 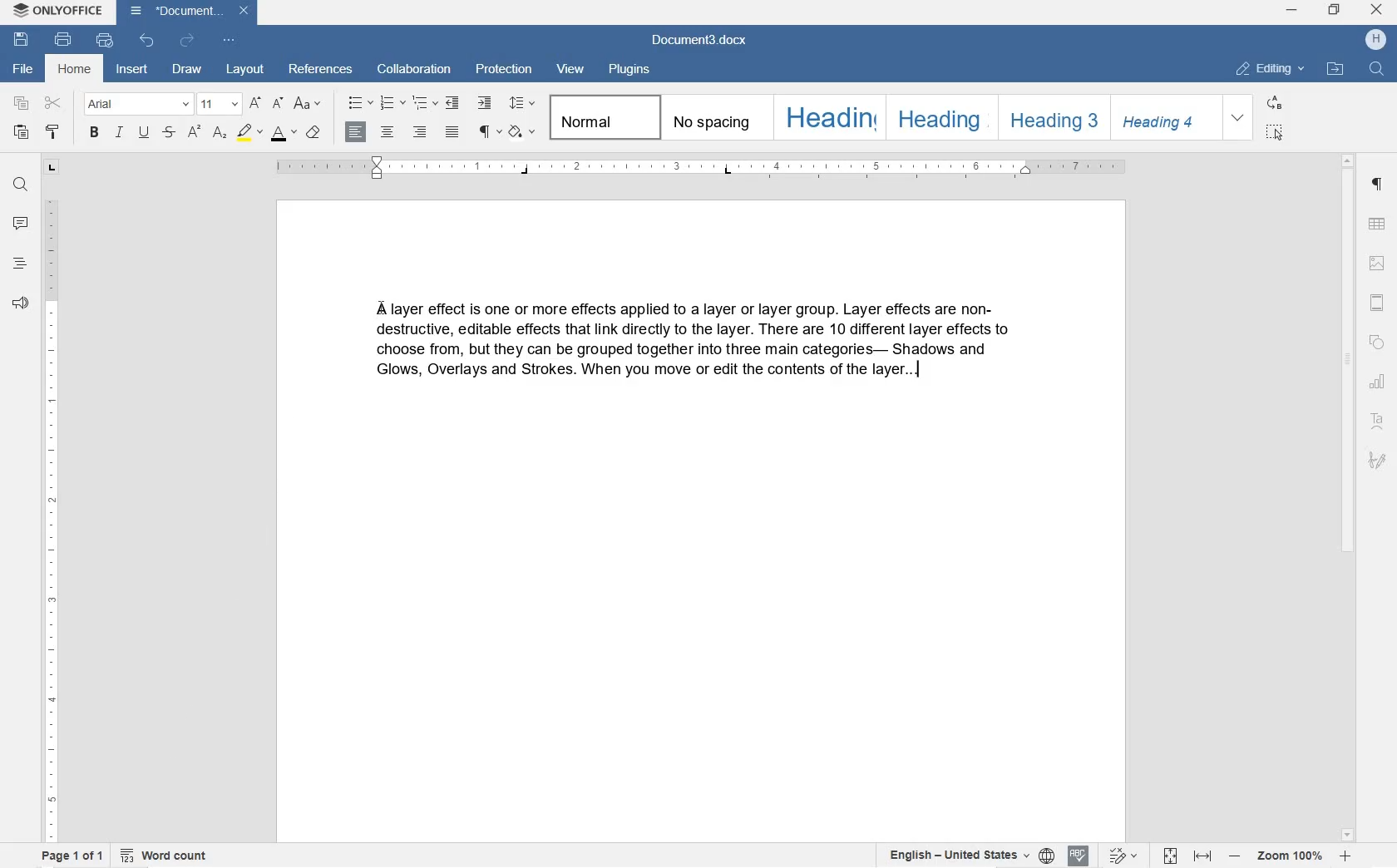 What do you see at coordinates (49, 518) in the screenshot?
I see `RULER` at bounding box center [49, 518].